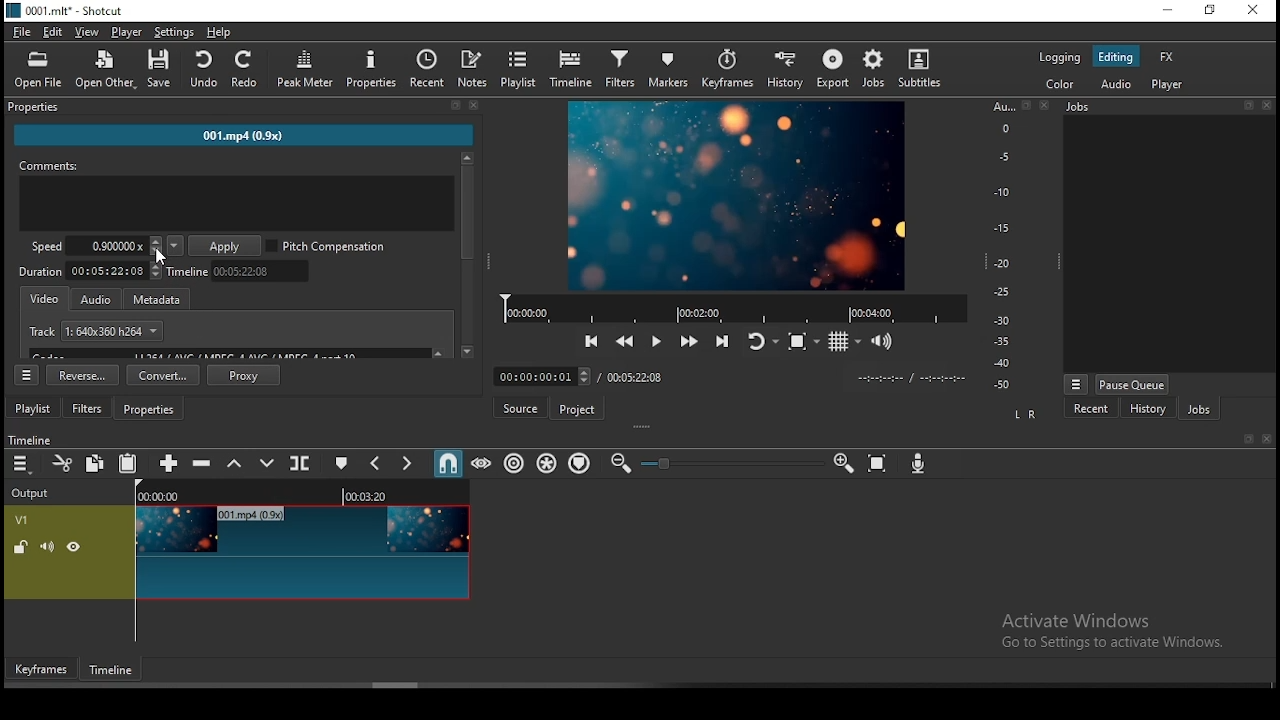 The image size is (1280, 720). I want to click on close, so click(1268, 438).